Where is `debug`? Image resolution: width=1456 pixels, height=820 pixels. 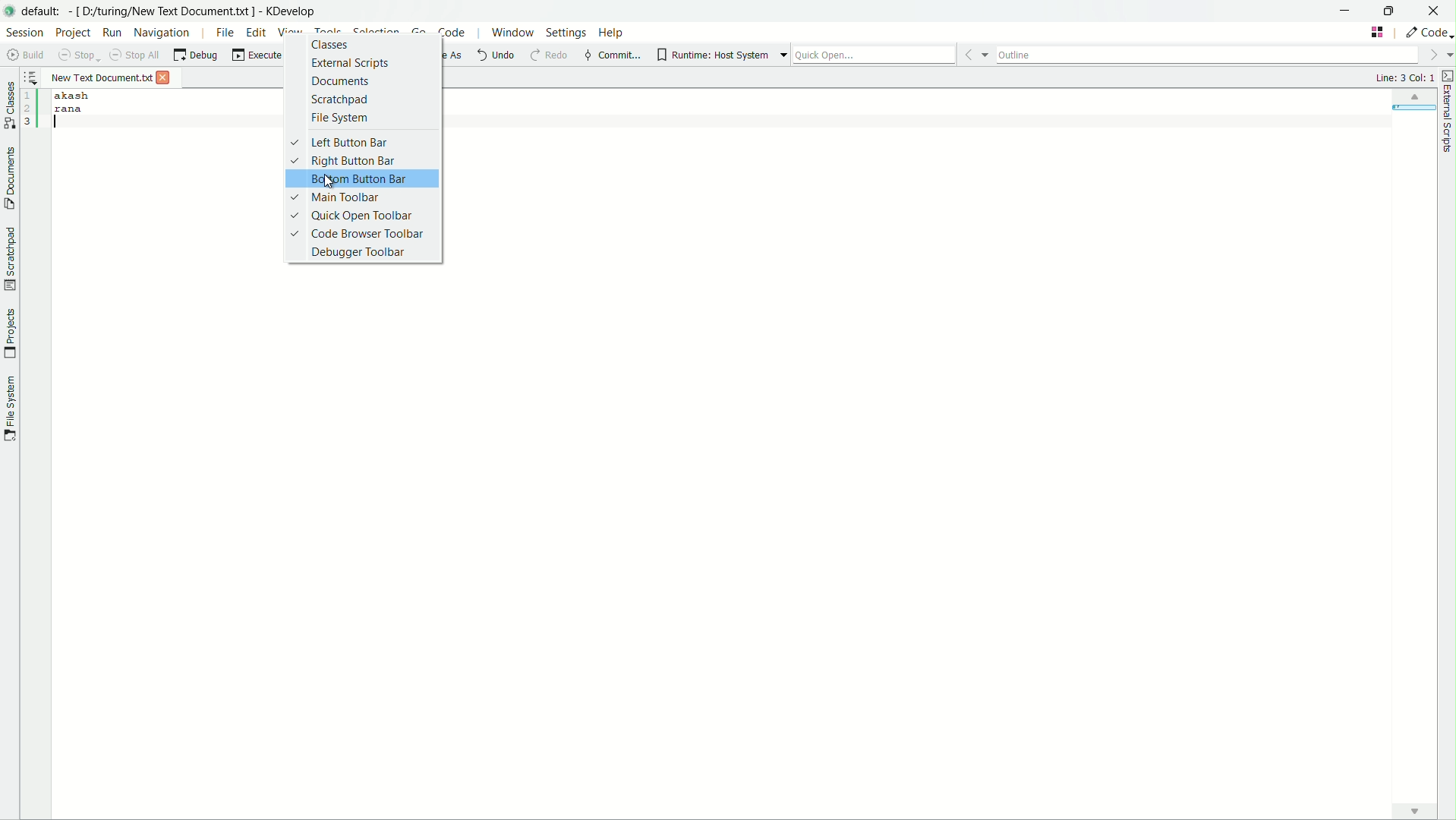 debug is located at coordinates (195, 55).